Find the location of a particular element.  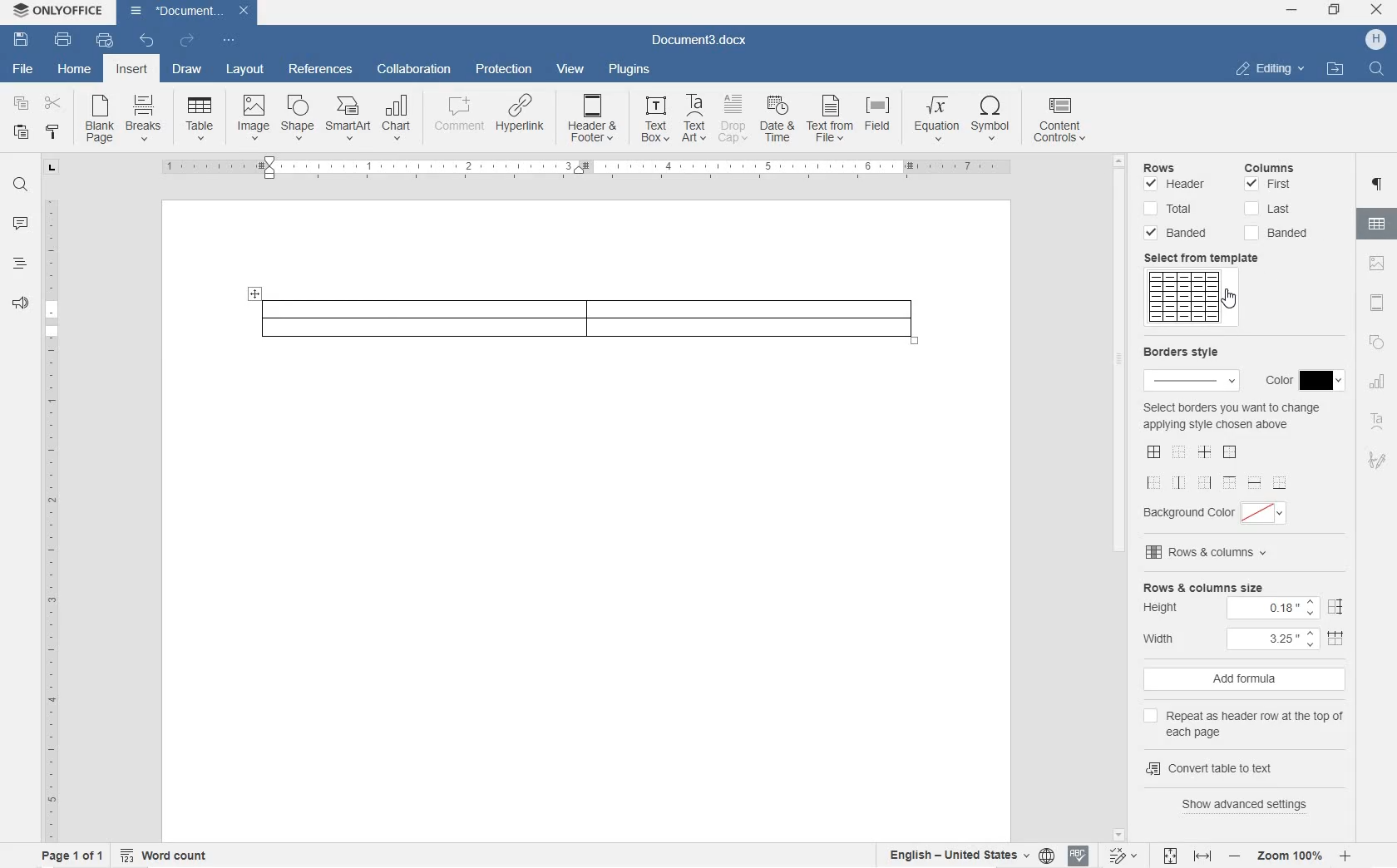

UNDO is located at coordinates (147, 42).